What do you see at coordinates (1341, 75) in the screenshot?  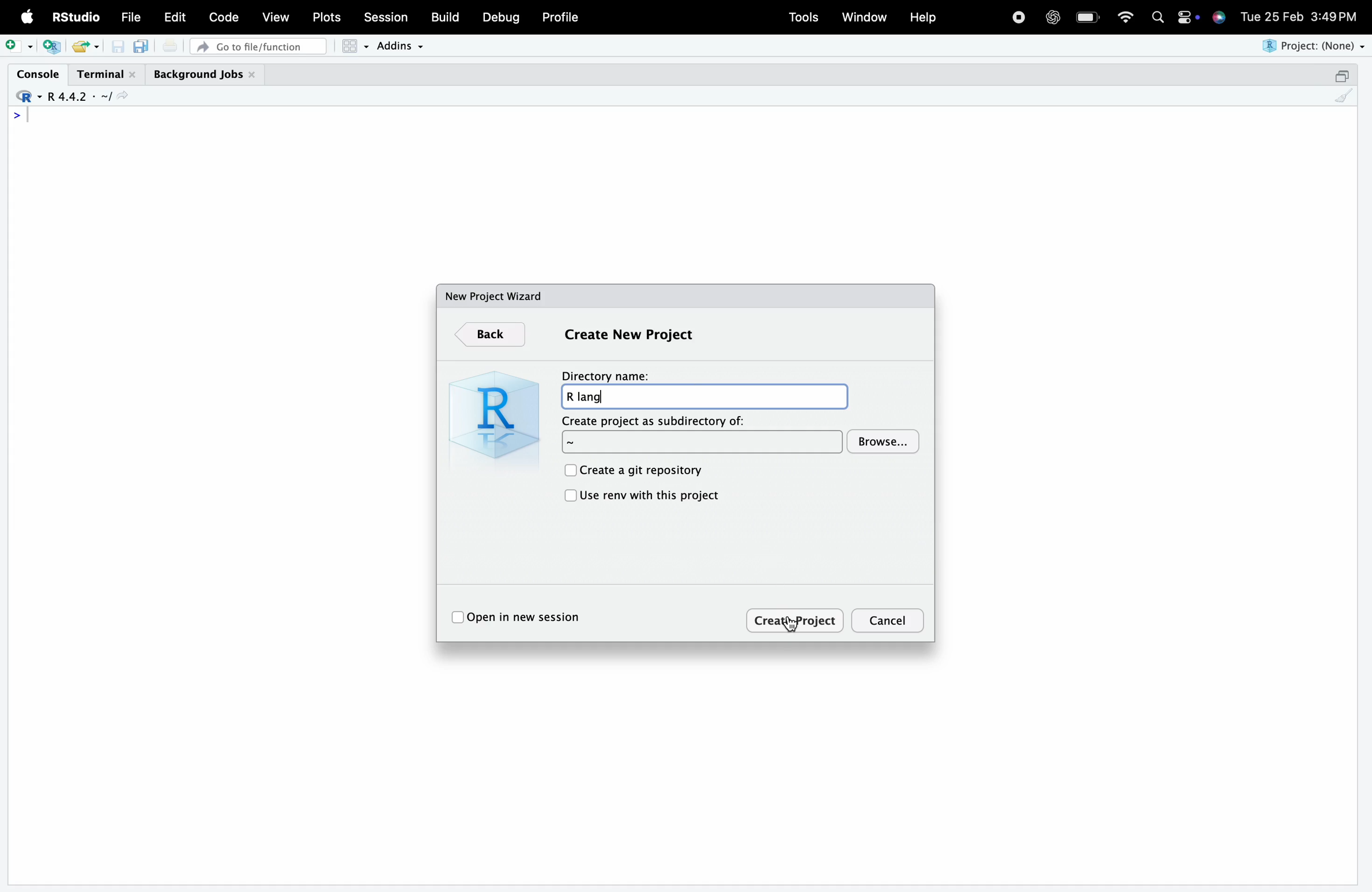 I see `maximize` at bounding box center [1341, 75].